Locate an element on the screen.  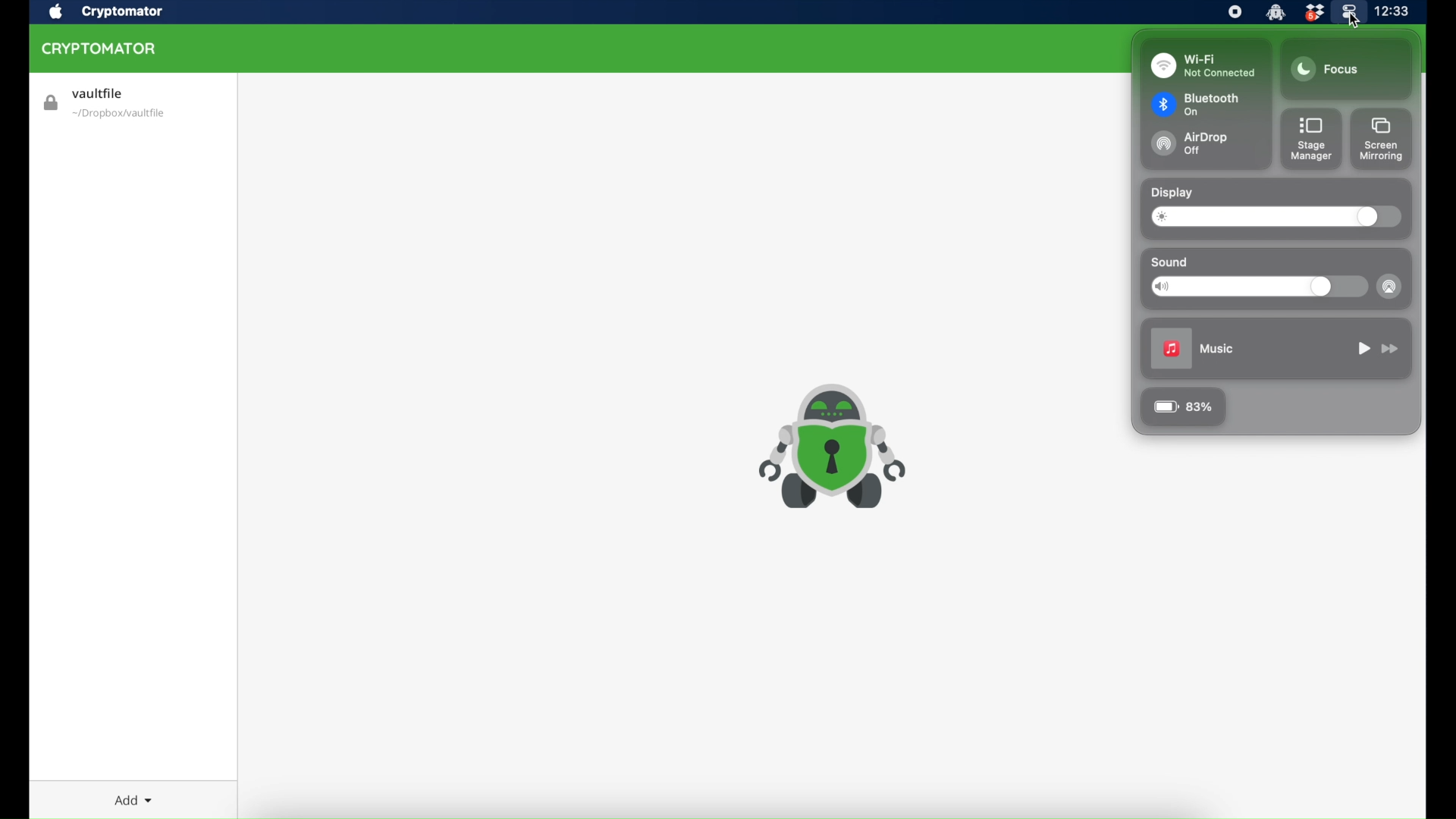
airdrop is located at coordinates (1189, 144).